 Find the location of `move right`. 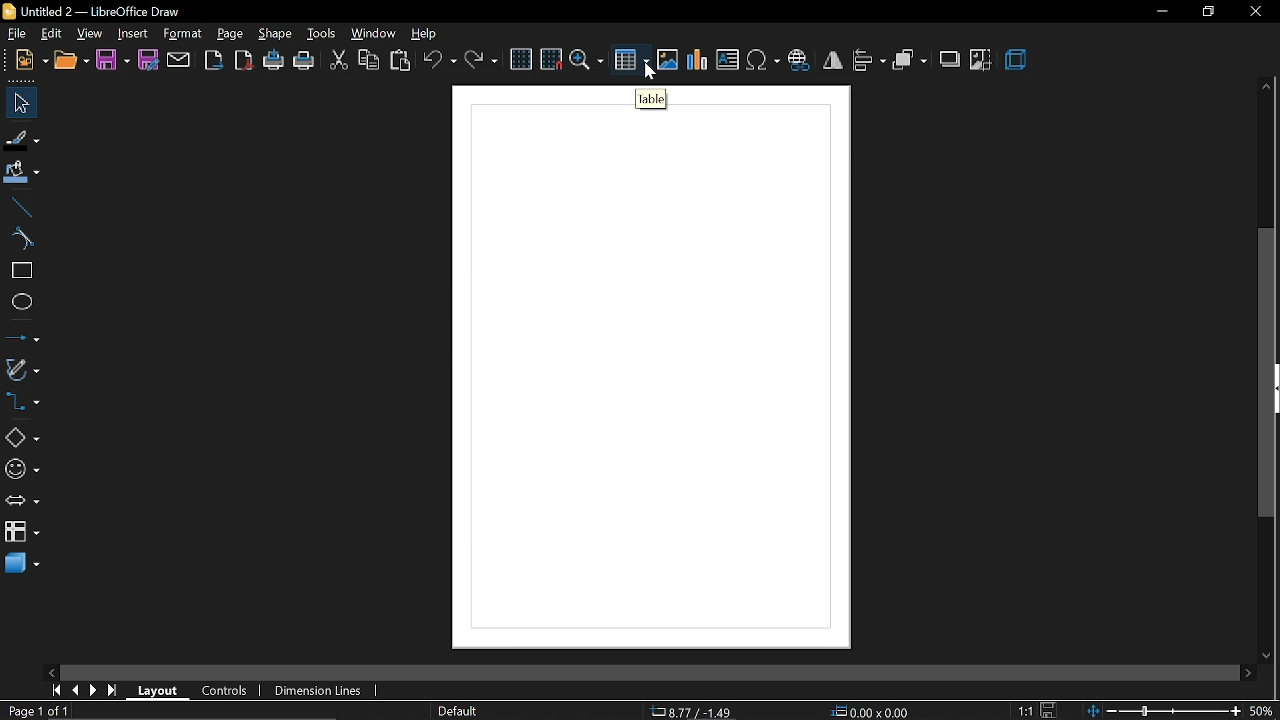

move right is located at coordinates (1251, 673).